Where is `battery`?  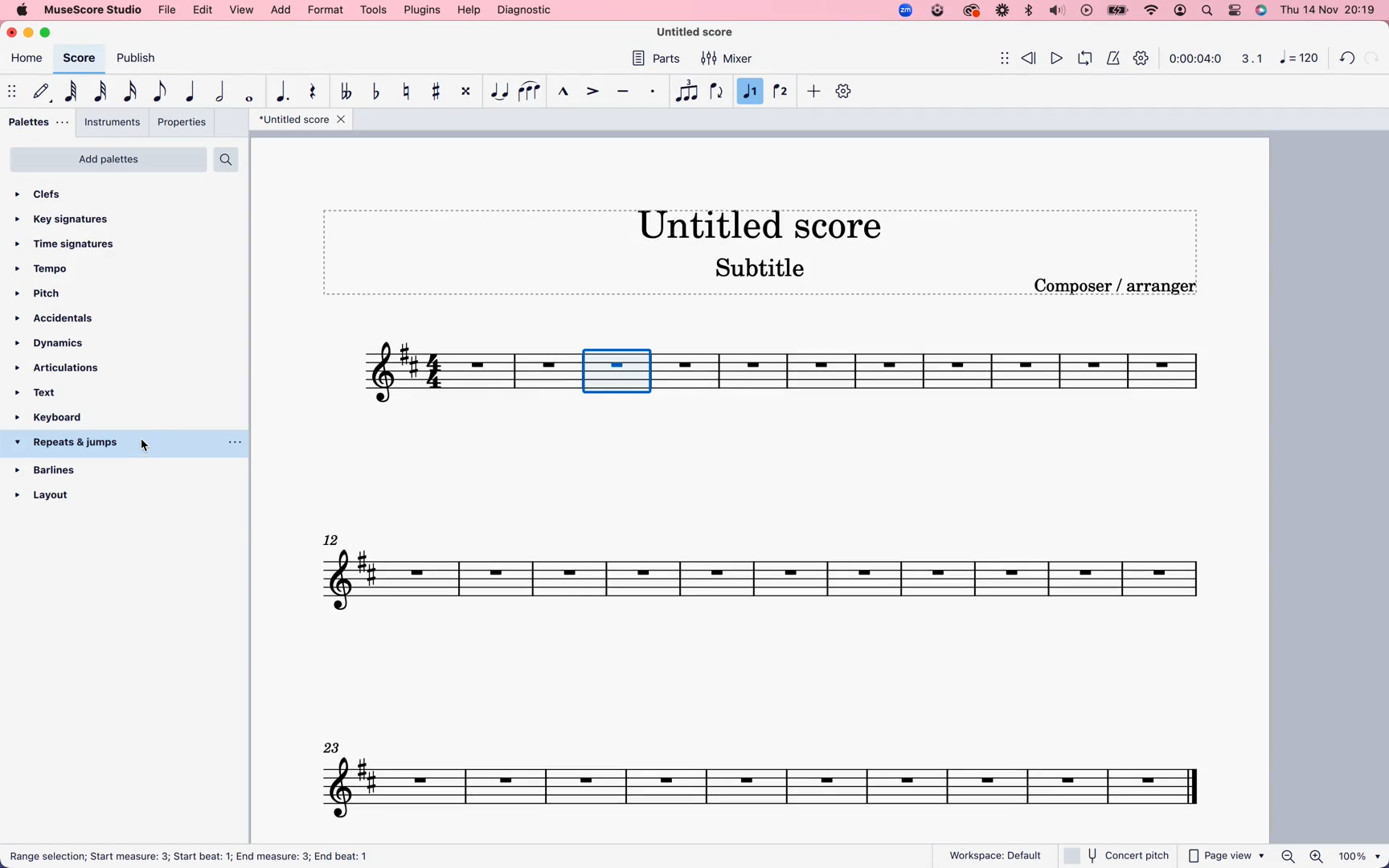 battery is located at coordinates (1117, 11).